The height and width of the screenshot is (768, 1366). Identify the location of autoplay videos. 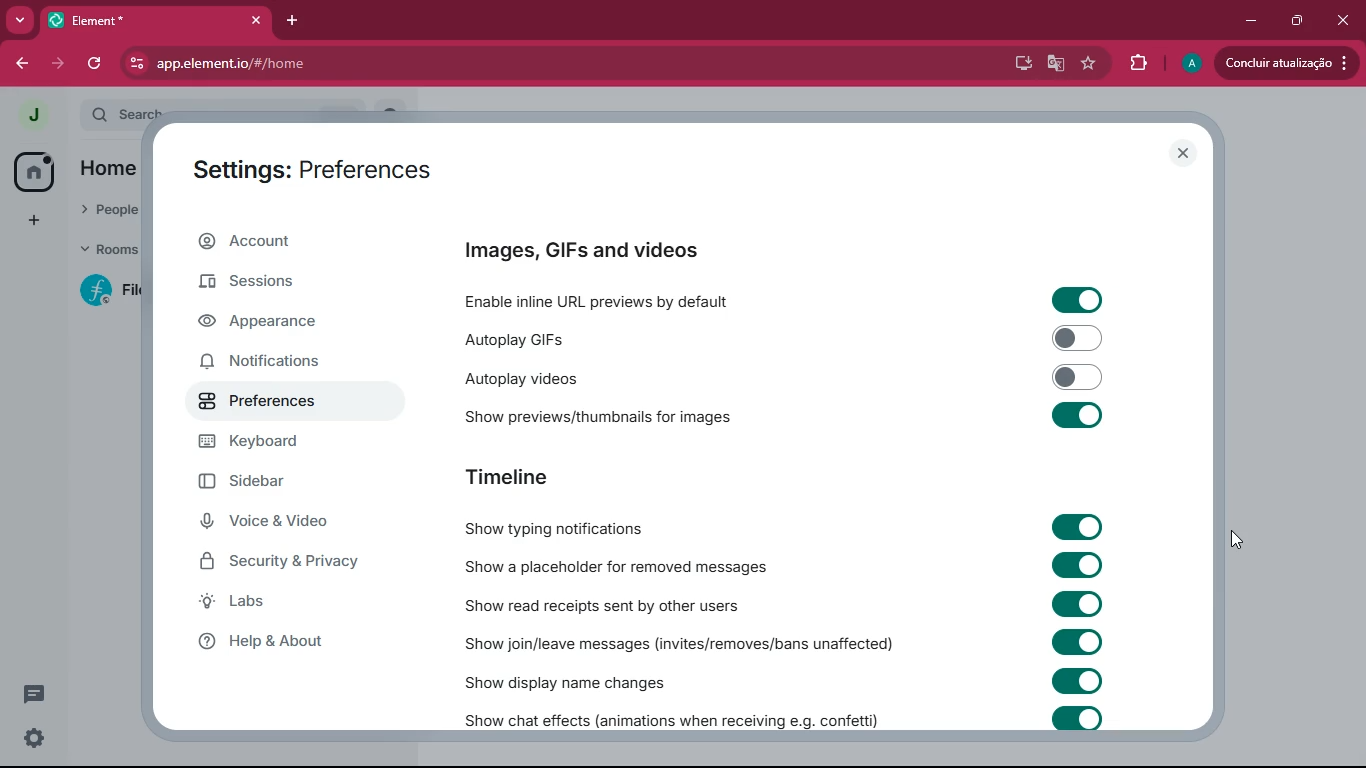
(595, 379).